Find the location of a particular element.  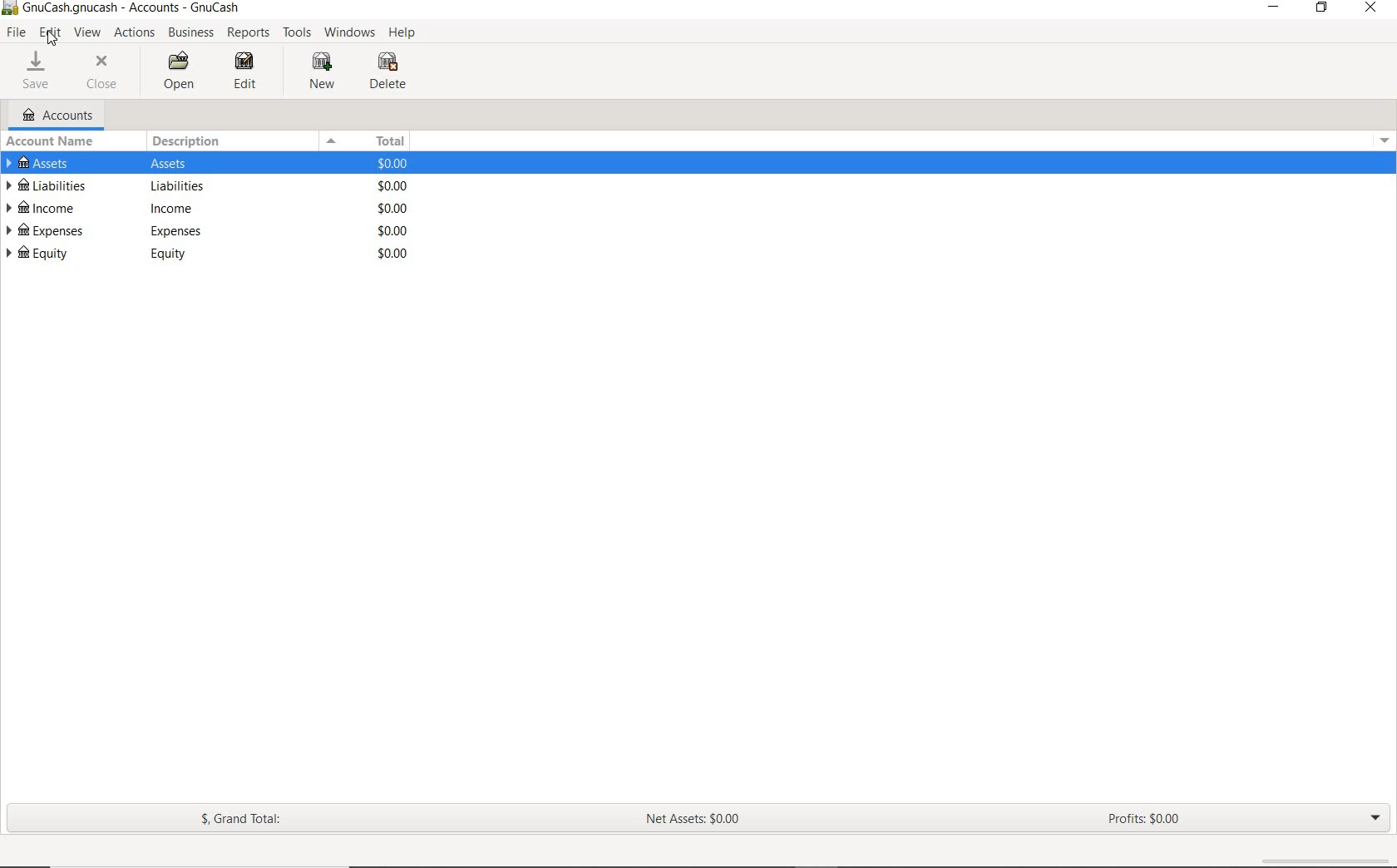

TOTAL is located at coordinates (370, 141).